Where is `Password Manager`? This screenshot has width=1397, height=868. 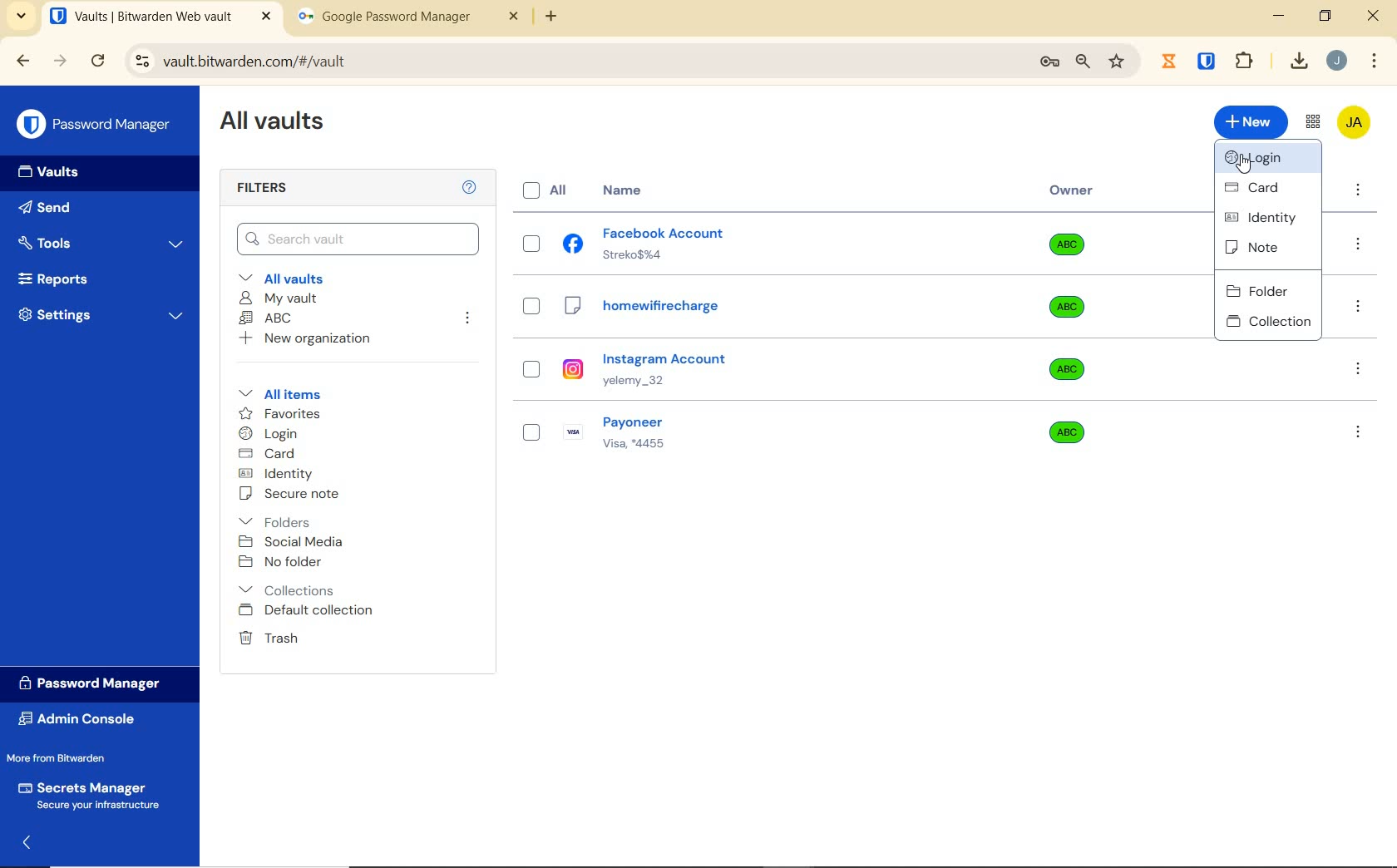
Password Manager is located at coordinates (96, 126).